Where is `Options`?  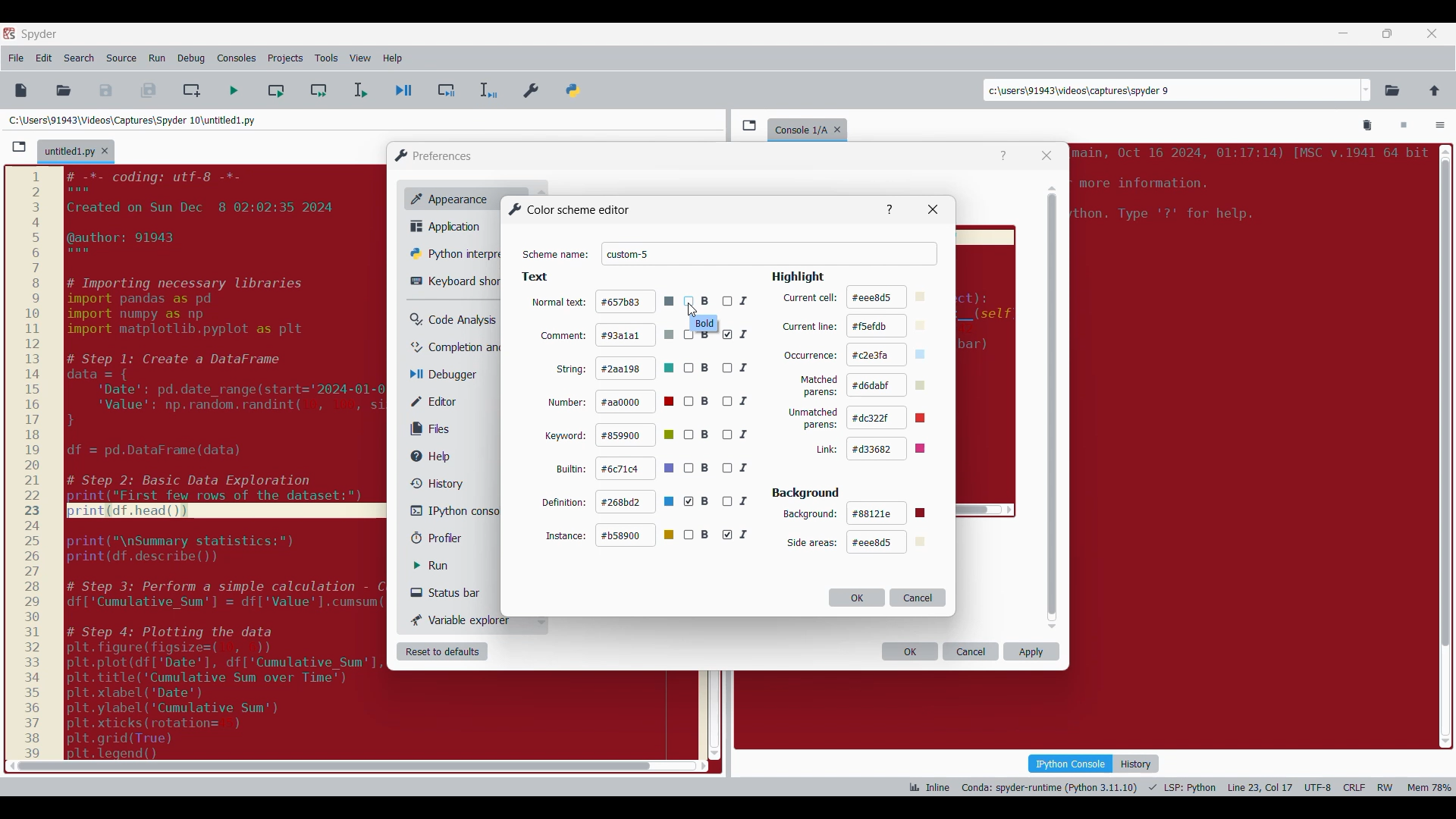
Options is located at coordinates (1440, 127).